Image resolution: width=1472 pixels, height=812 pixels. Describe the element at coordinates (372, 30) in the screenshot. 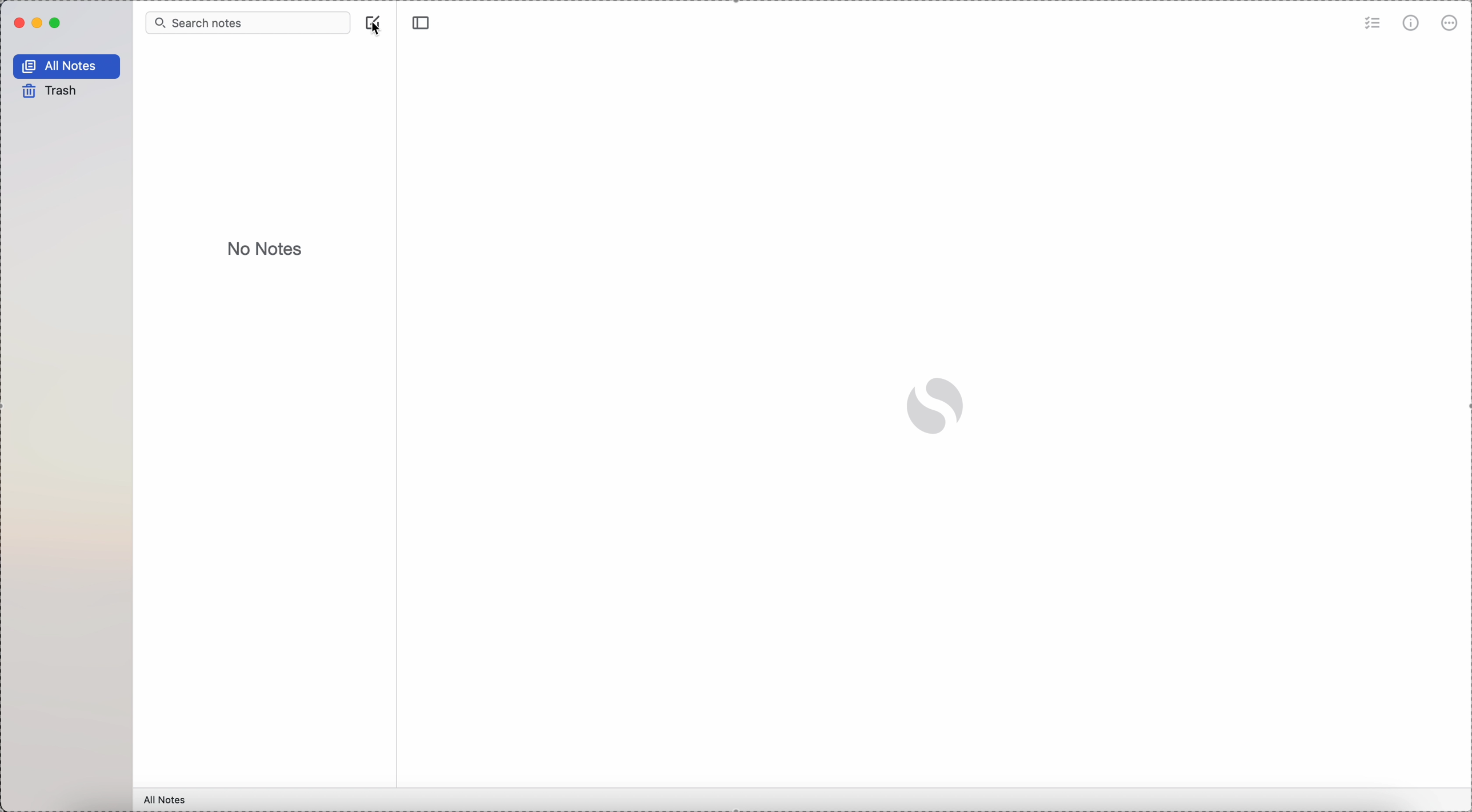

I see `cursor` at that location.